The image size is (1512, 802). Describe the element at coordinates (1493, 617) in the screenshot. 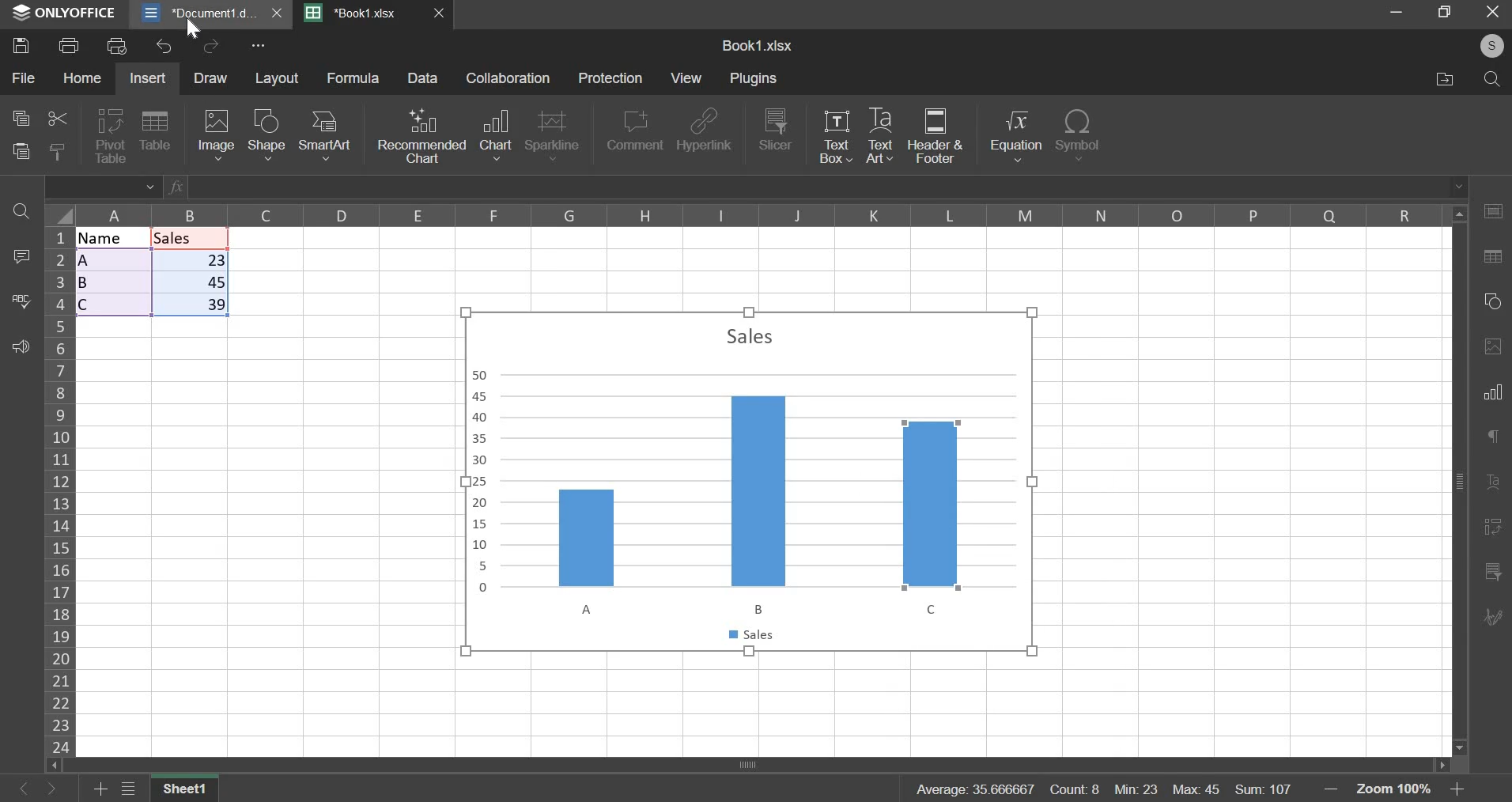

I see `Collaboration/Chat Tool` at that location.